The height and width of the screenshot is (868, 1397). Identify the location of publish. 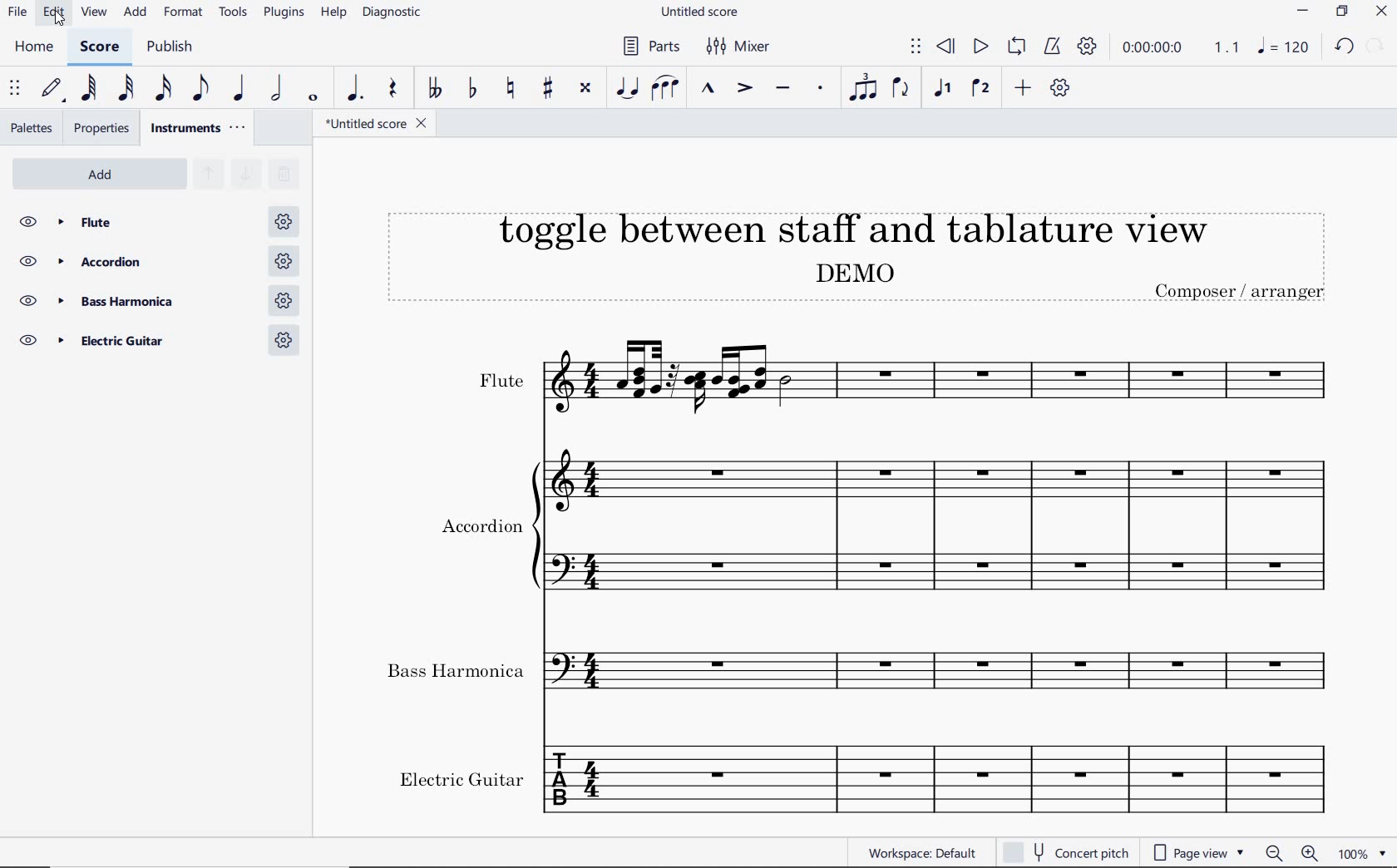
(173, 48).